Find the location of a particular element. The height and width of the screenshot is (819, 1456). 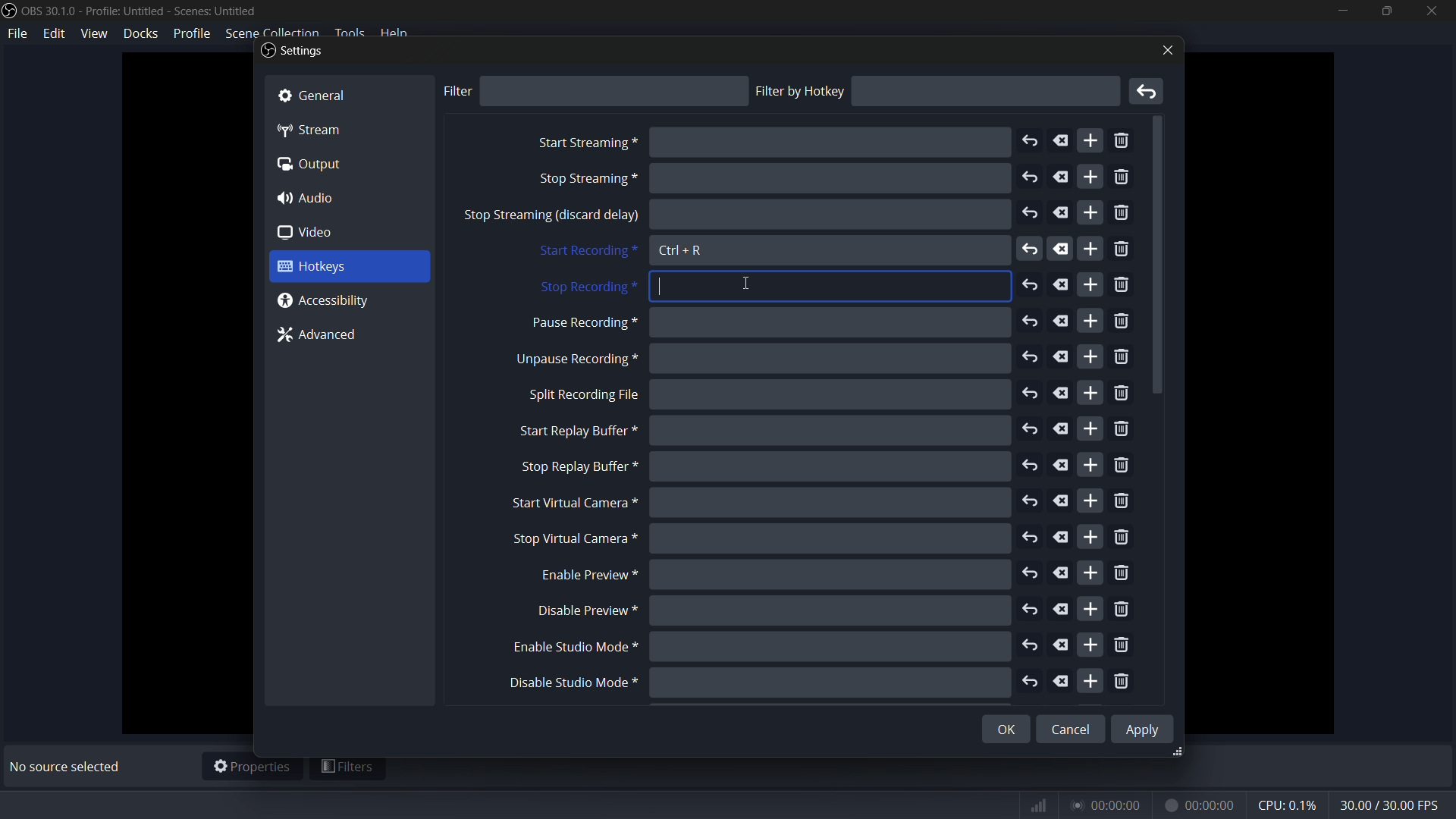

add more is located at coordinates (1090, 643).